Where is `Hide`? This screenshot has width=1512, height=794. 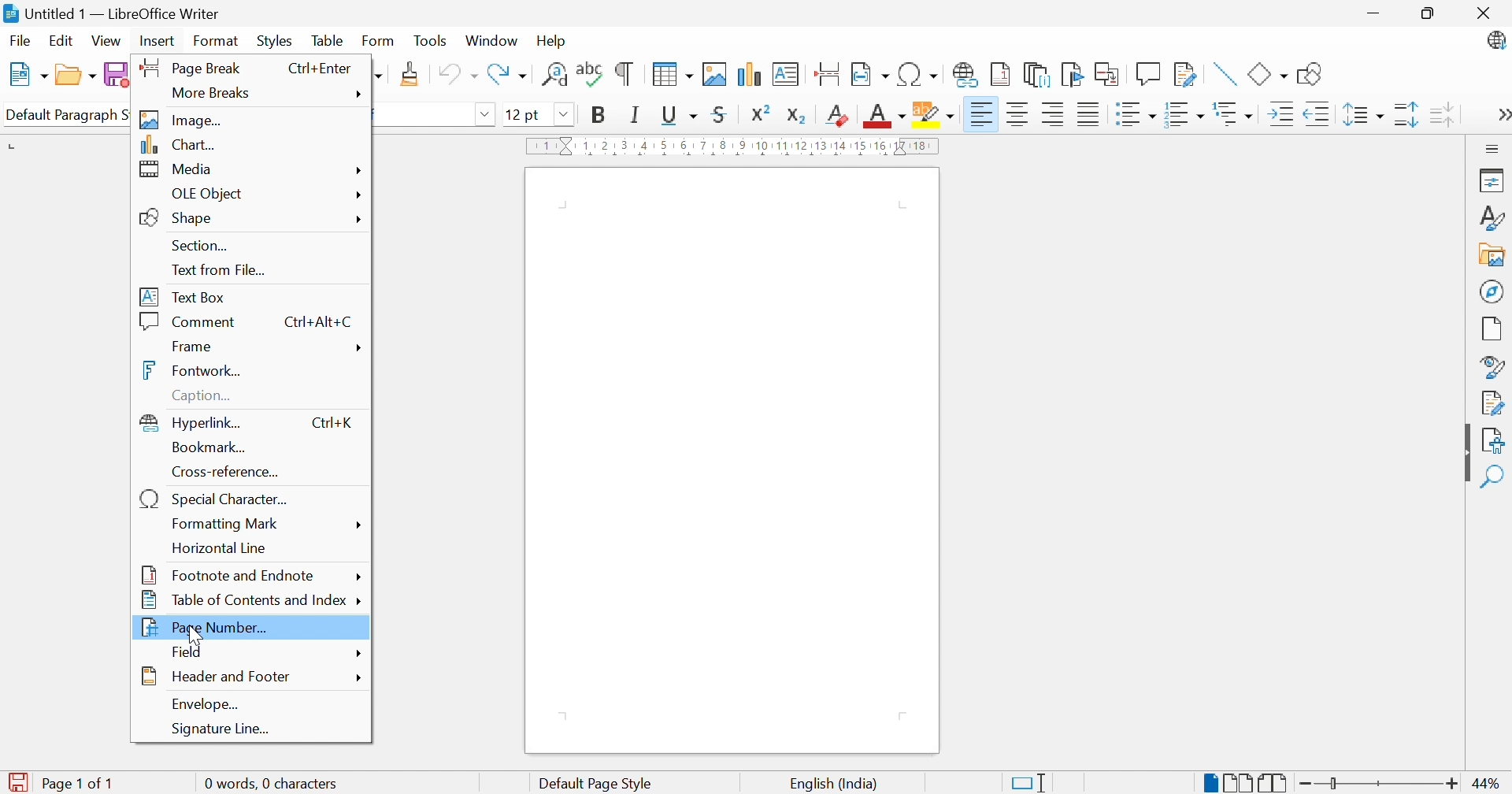
Hide is located at coordinates (1464, 454).